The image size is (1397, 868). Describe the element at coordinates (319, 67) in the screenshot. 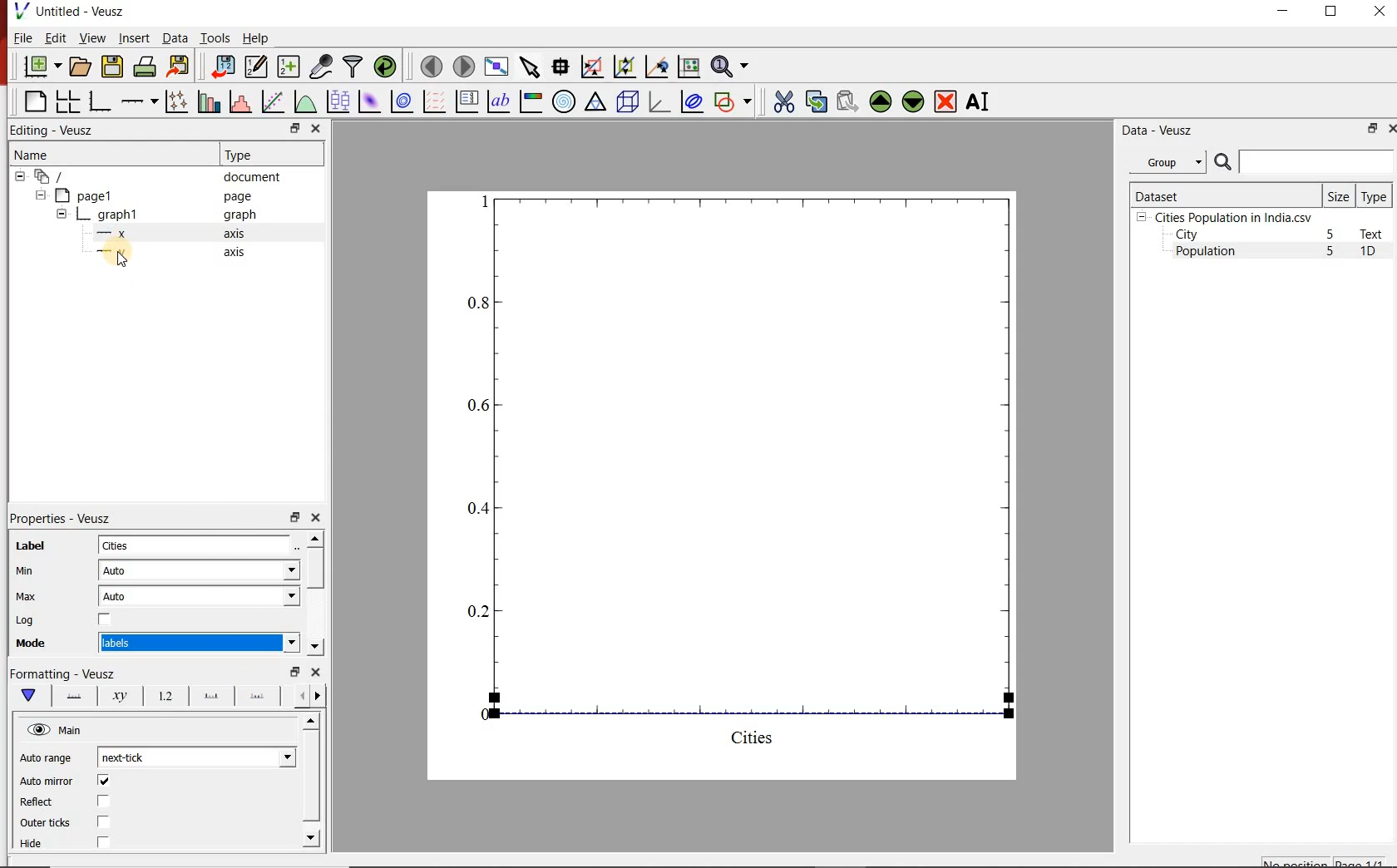

I see `capture remote data` at that location.